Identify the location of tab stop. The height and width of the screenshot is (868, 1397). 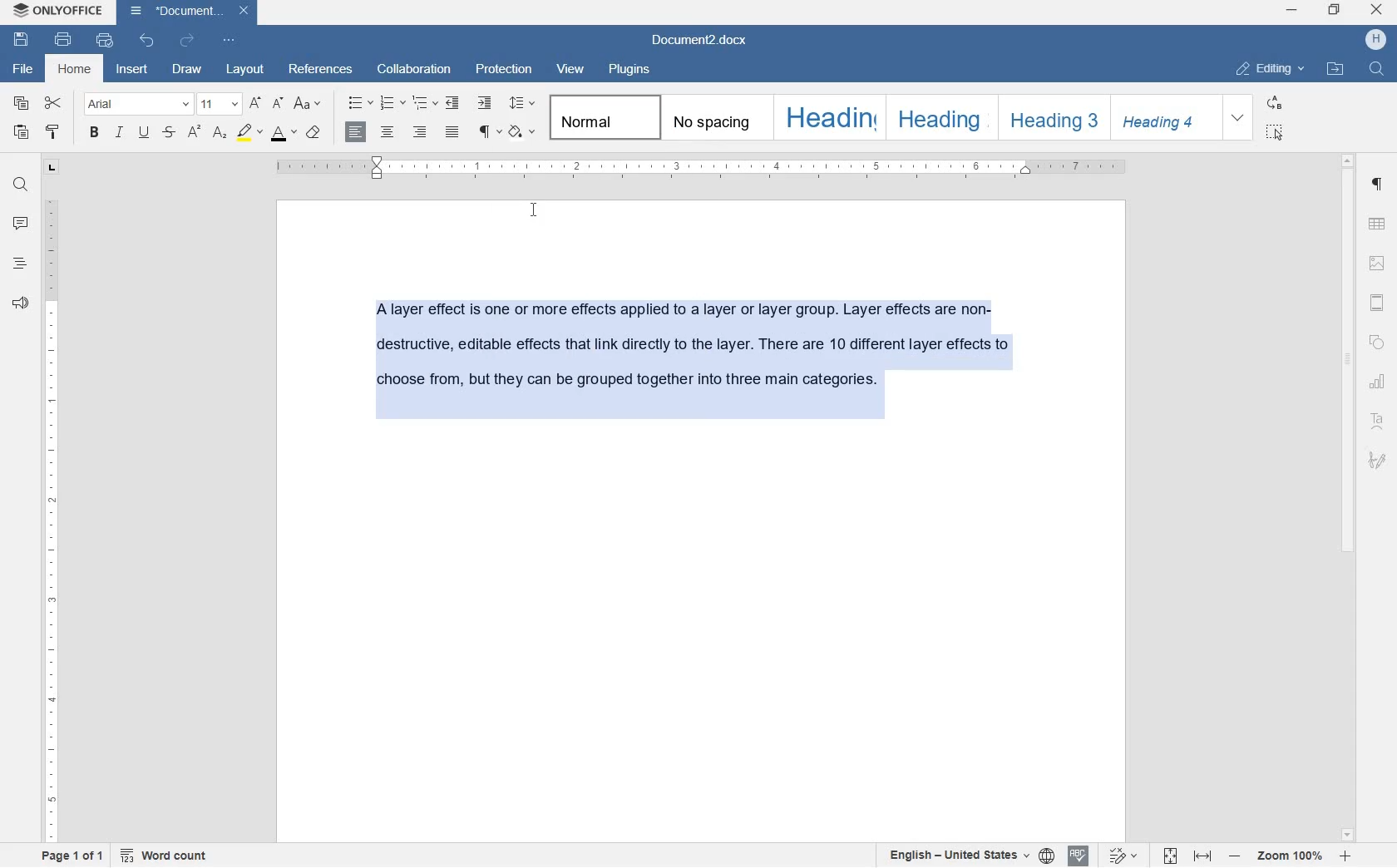
(51, 170).